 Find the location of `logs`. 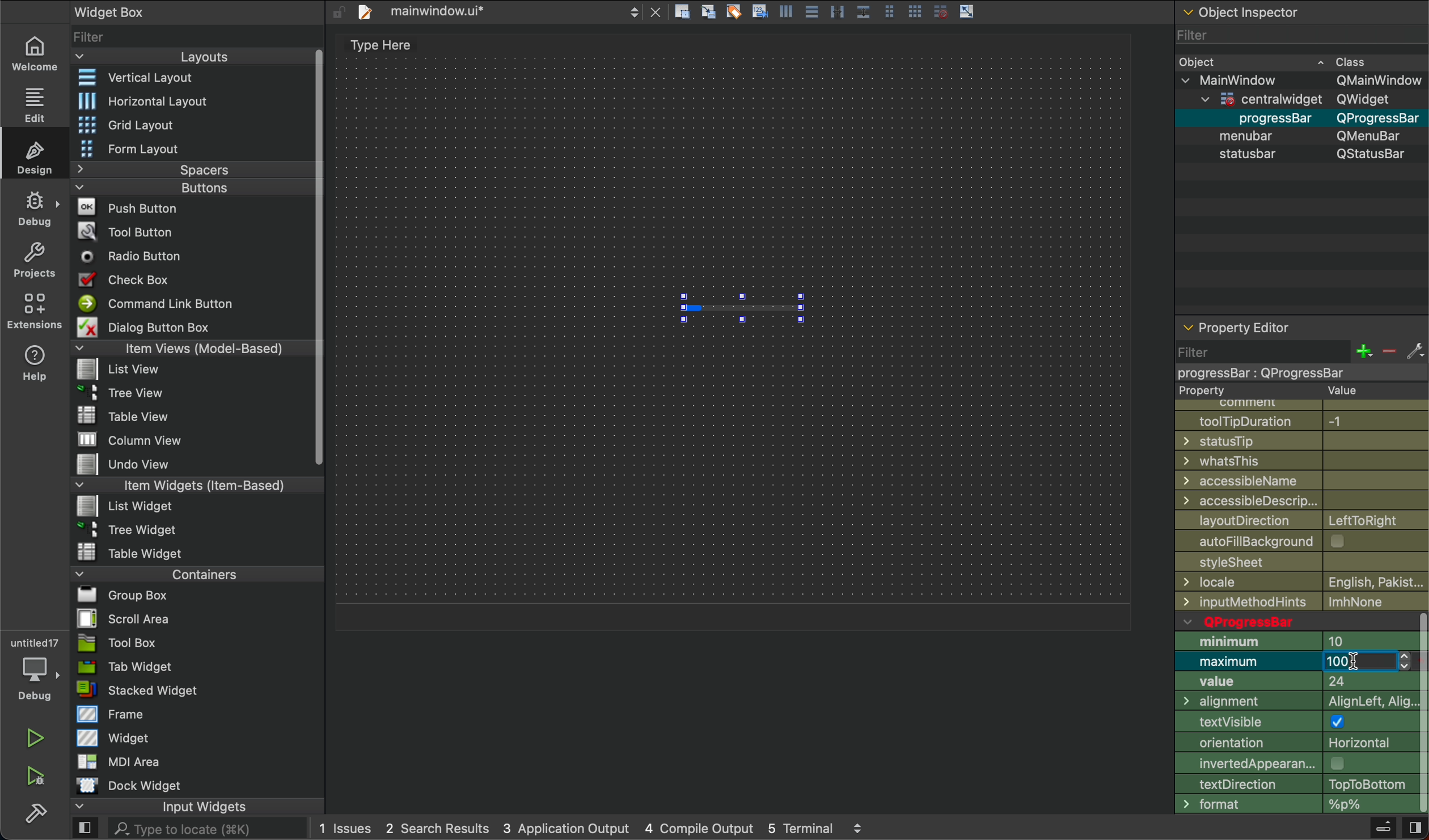

logs is located at coordinates (591, 830).